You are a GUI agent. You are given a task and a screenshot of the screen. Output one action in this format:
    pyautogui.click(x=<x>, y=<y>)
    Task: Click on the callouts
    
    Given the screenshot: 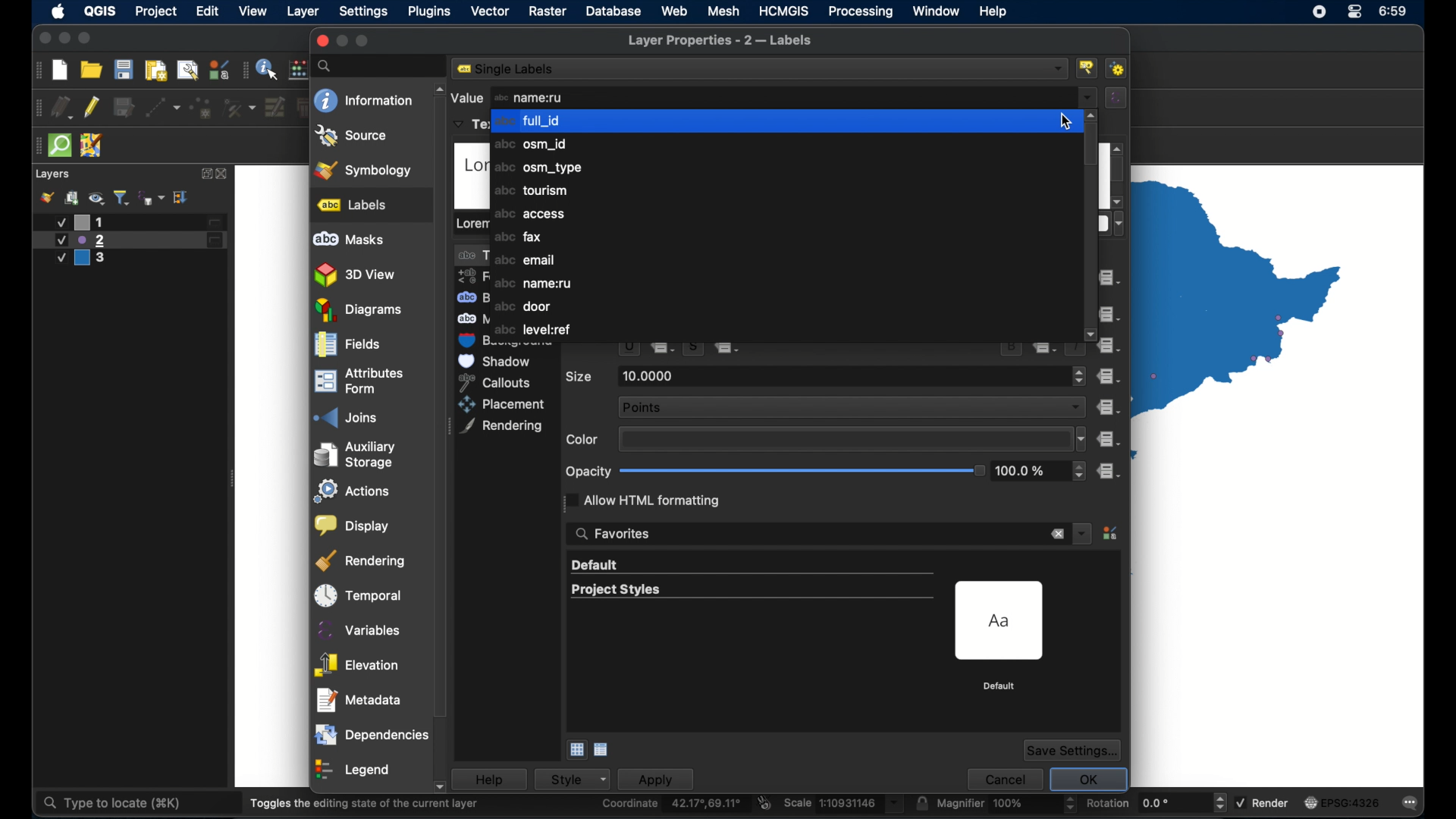 What is the action you would take?
    pyautogui.click(x=501, y=381)
    